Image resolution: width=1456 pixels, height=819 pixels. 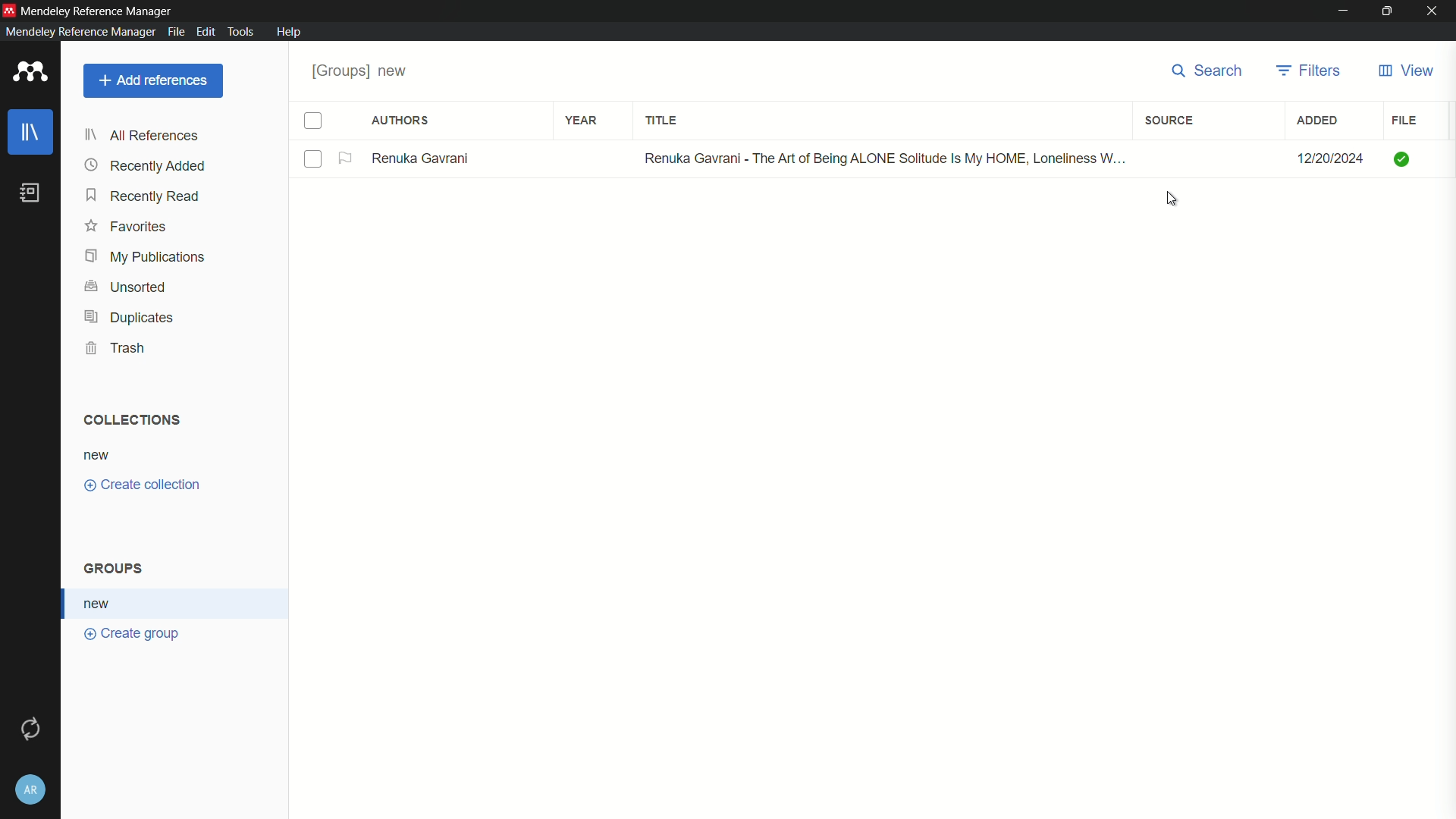 I want to click on account and settings, so click(x=28, y=792).